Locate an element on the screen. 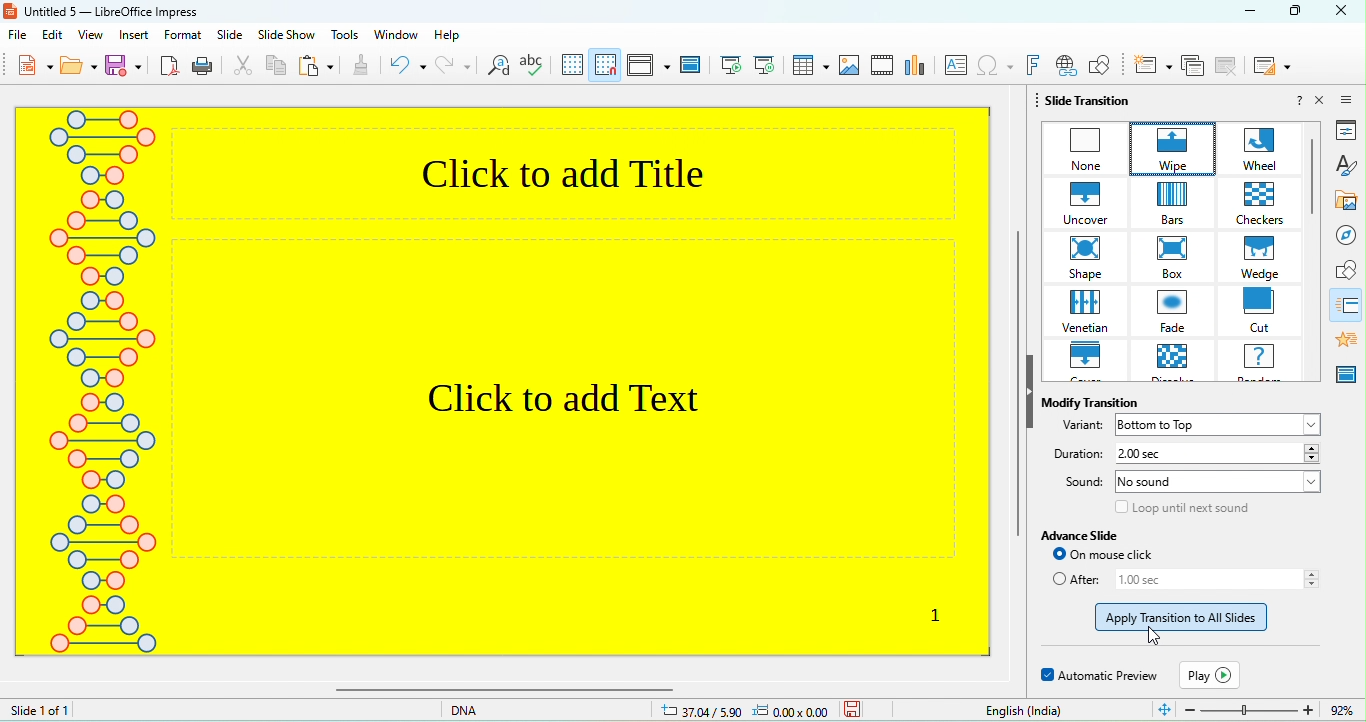 The width and height of the screenshot is (1366, 722). export directly as pdf is located at coordinates (170, 68).